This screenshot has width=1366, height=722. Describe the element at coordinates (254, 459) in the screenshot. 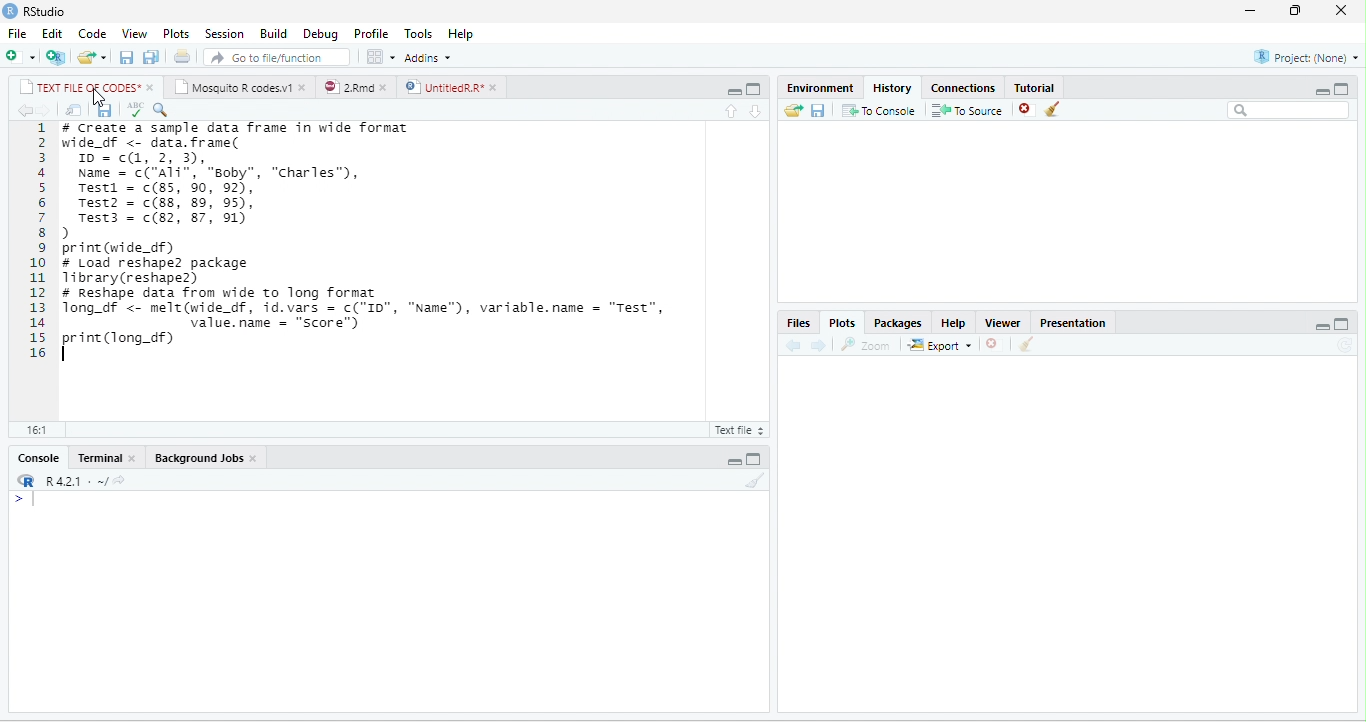

I see `close` at that location.